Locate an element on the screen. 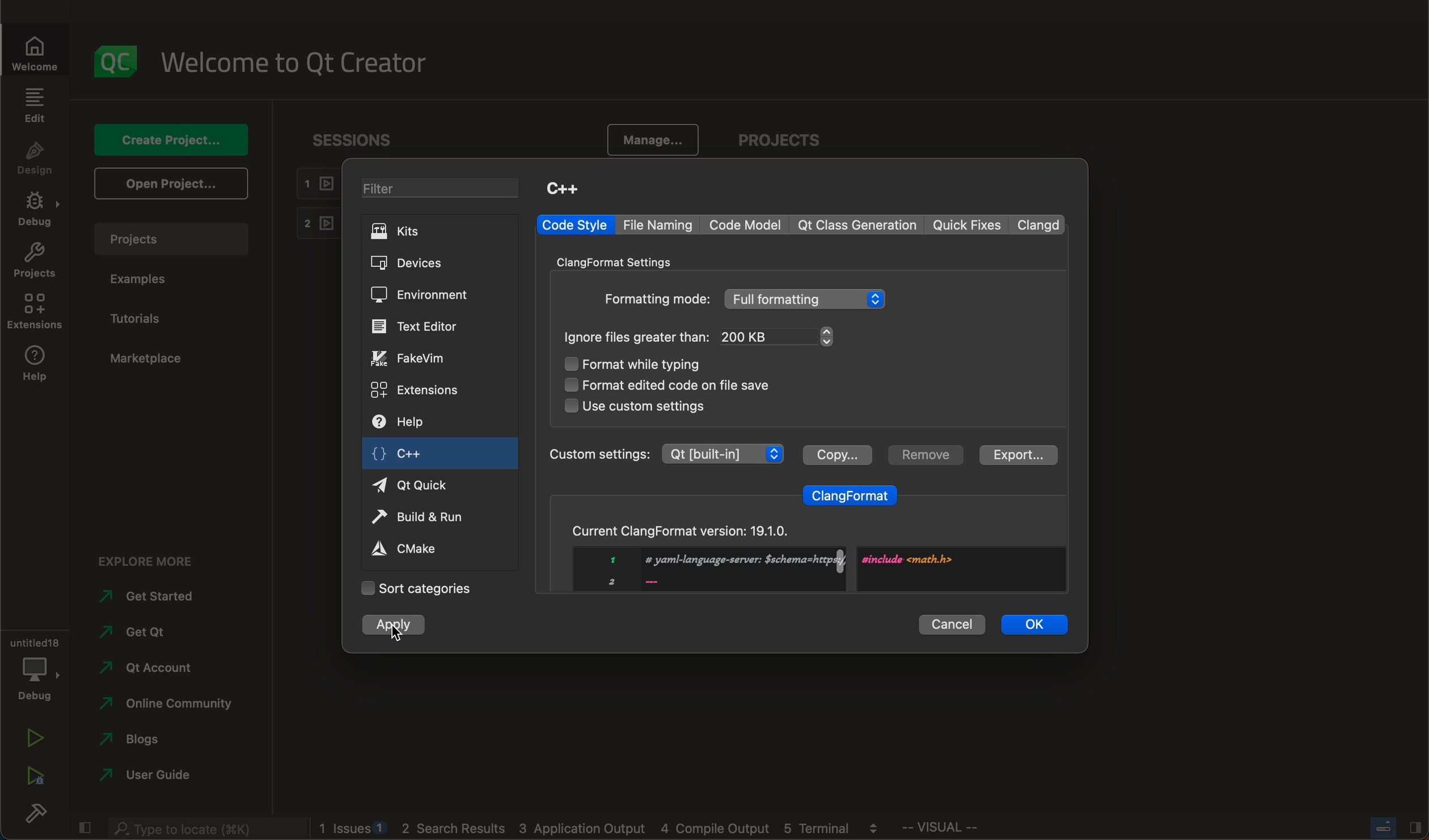  account is located at coordinates (147, 668).